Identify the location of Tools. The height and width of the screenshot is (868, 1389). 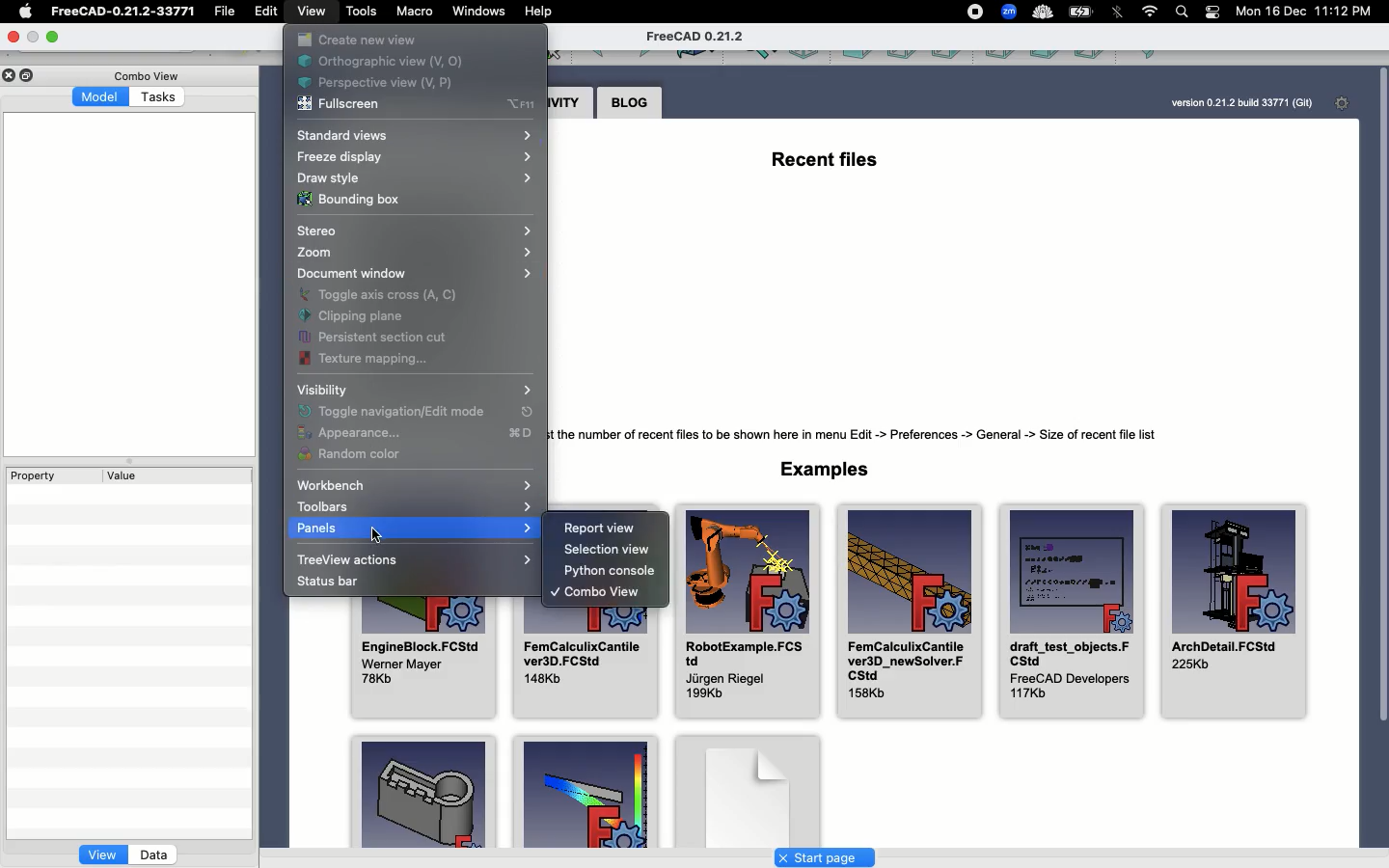
(360, 12).